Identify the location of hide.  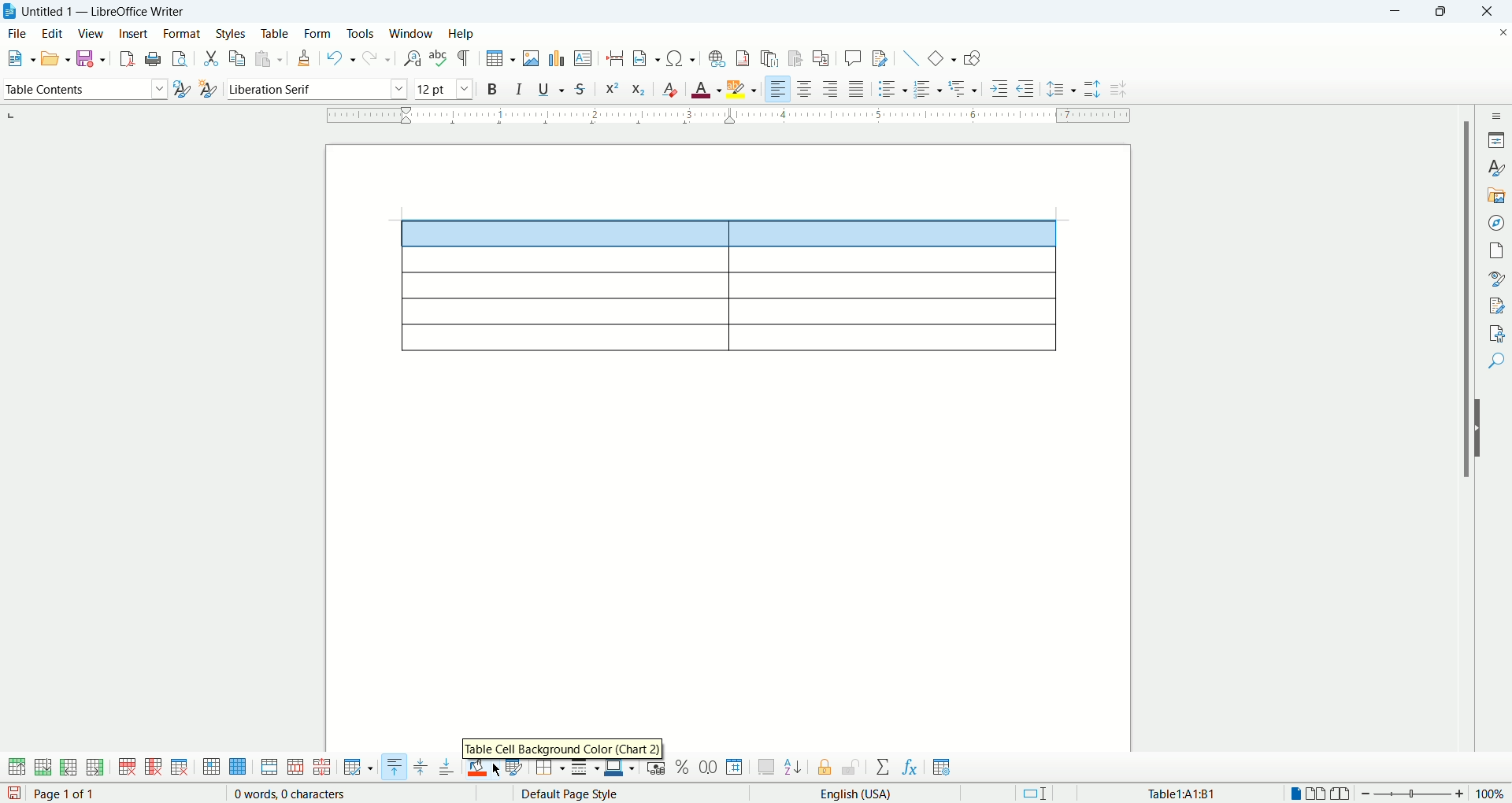
(1482, 428).